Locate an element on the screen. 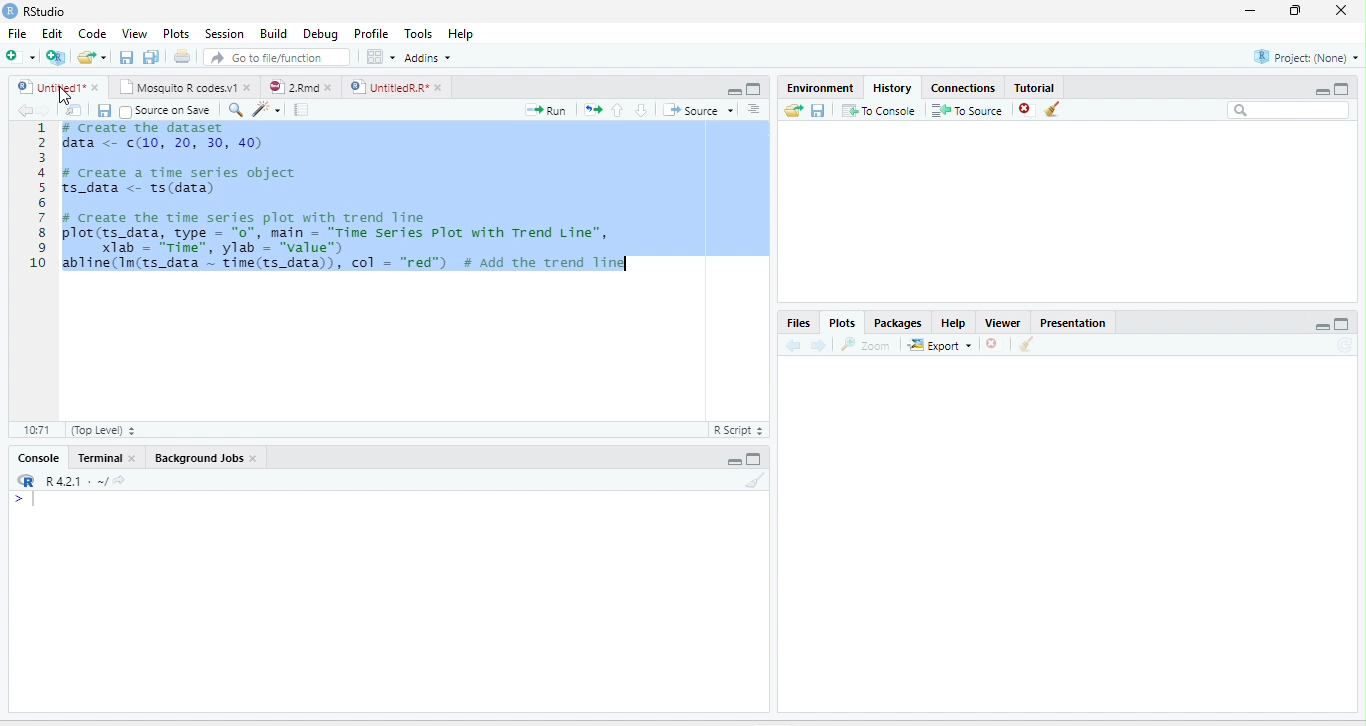  Search bar is located at coordinates (1288, 110).